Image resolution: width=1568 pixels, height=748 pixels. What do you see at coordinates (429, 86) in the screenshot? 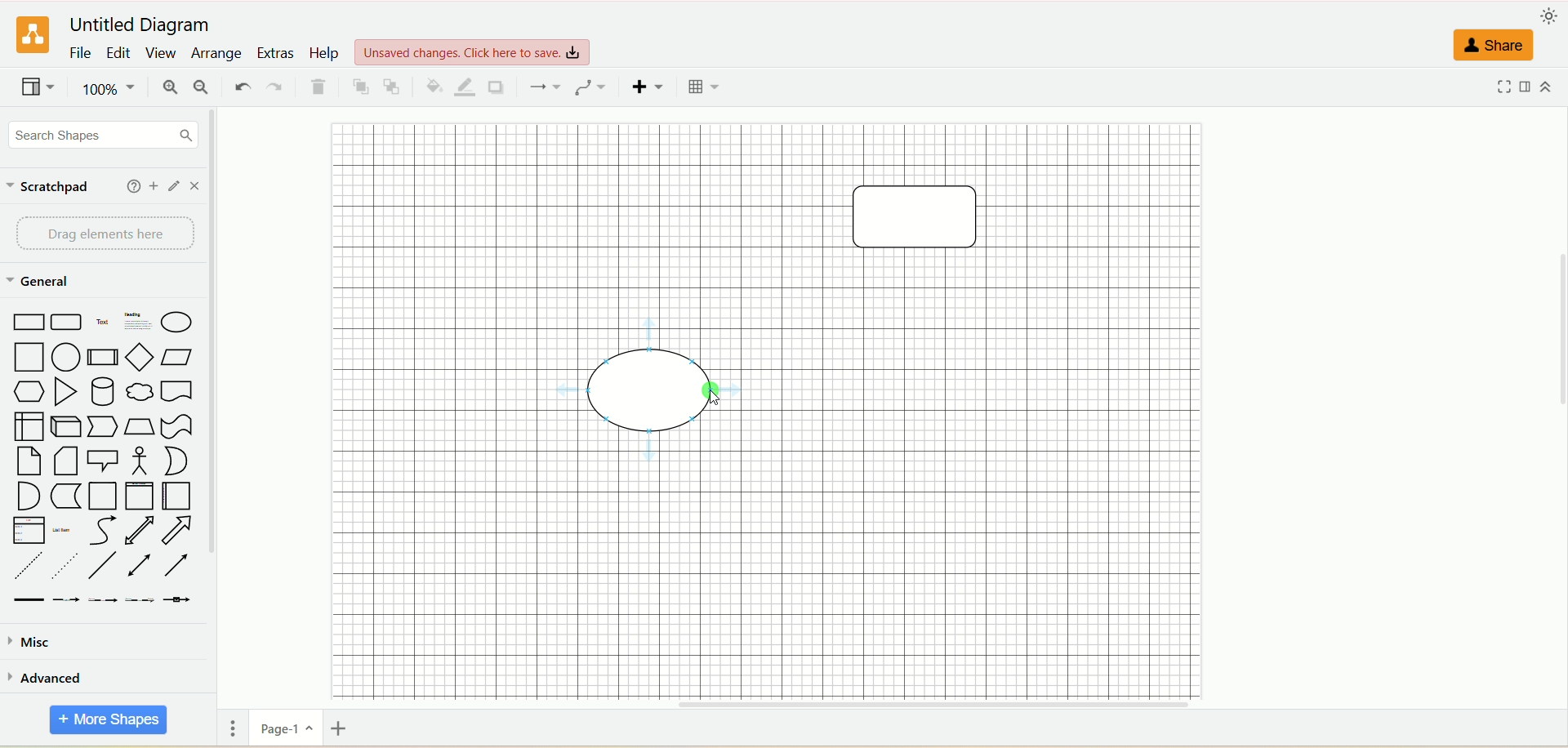
I see `fill color` at bounding box center [429, 86].